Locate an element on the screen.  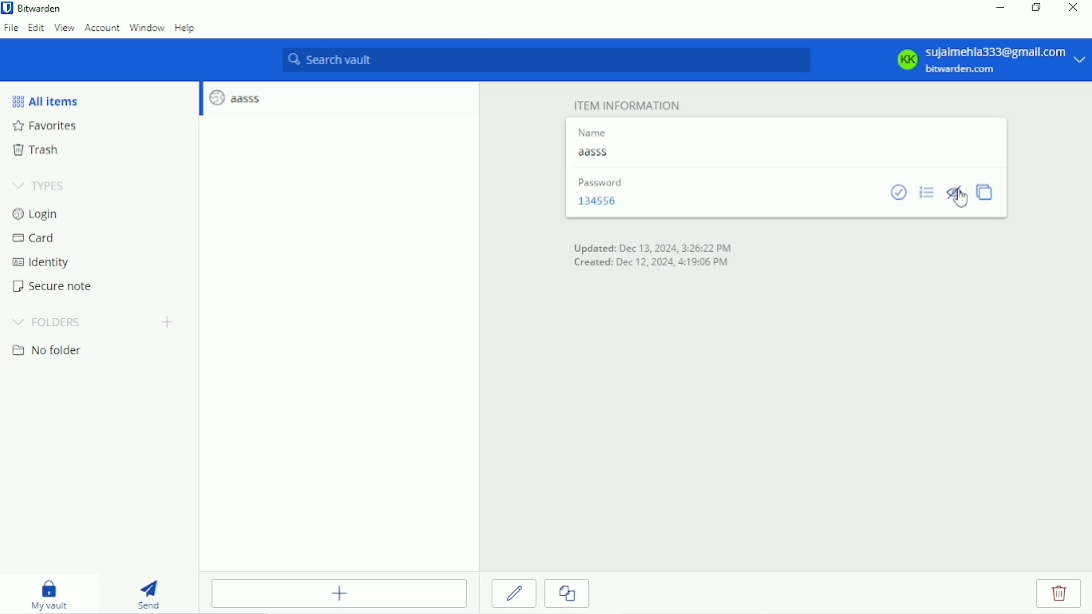
Folders is located at coordinates (47, 322).